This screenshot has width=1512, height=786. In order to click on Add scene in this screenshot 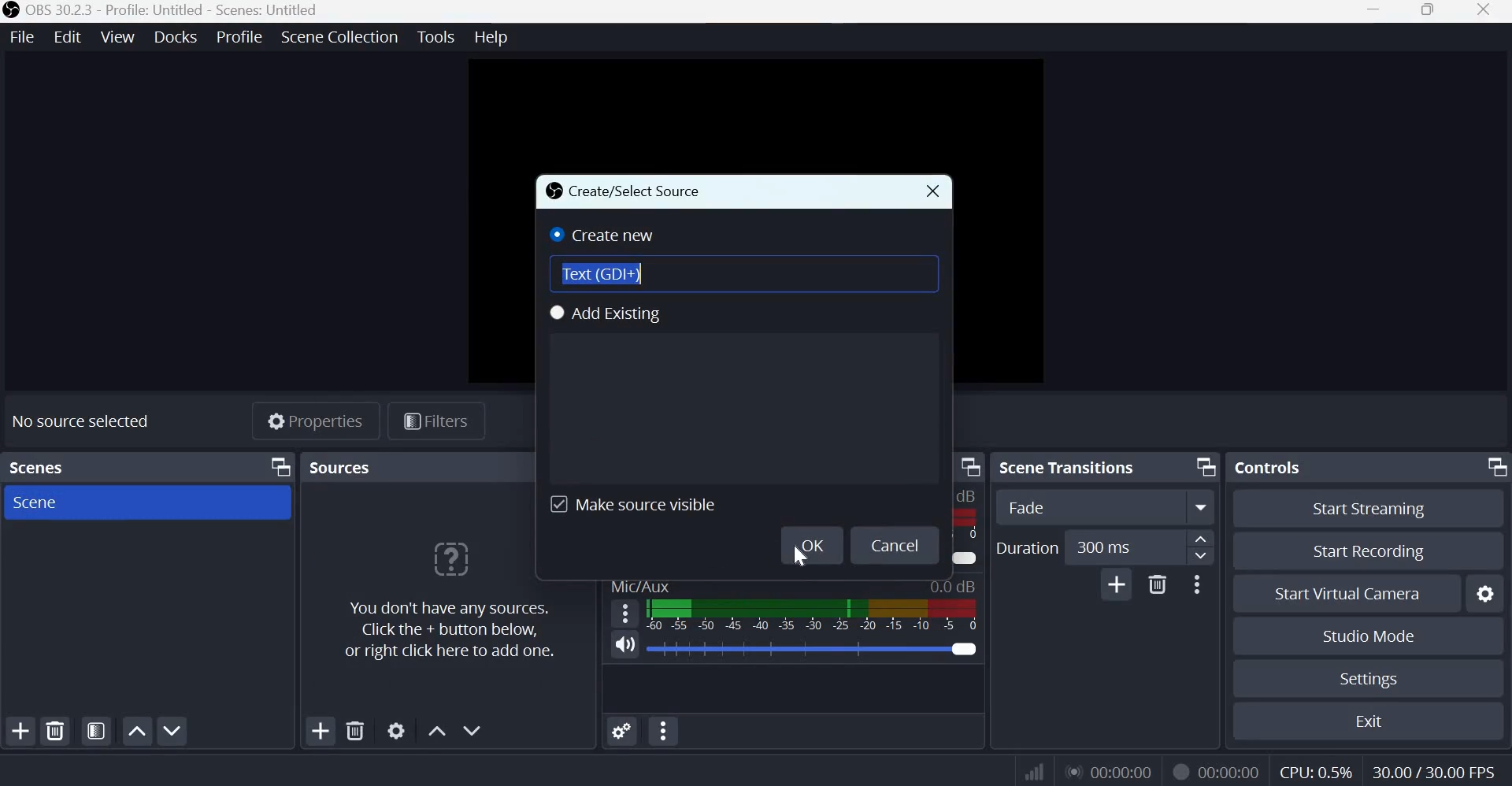, I will do `click(21, 732)`.